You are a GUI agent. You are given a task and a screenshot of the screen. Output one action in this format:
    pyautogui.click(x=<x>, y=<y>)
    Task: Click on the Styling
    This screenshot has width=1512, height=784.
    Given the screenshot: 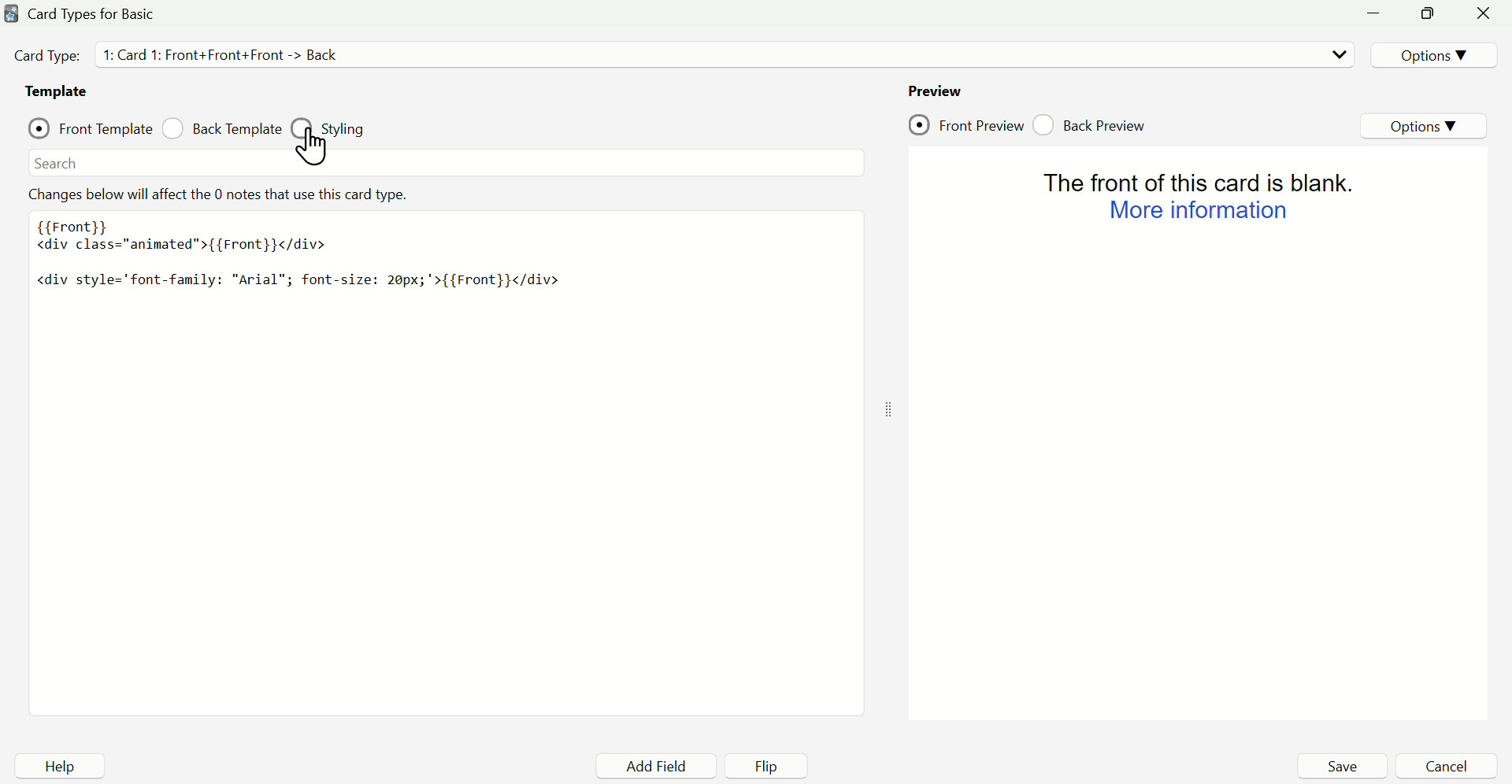 What is the action you would take?
    pyautogui.click(x=341, y=125)
    